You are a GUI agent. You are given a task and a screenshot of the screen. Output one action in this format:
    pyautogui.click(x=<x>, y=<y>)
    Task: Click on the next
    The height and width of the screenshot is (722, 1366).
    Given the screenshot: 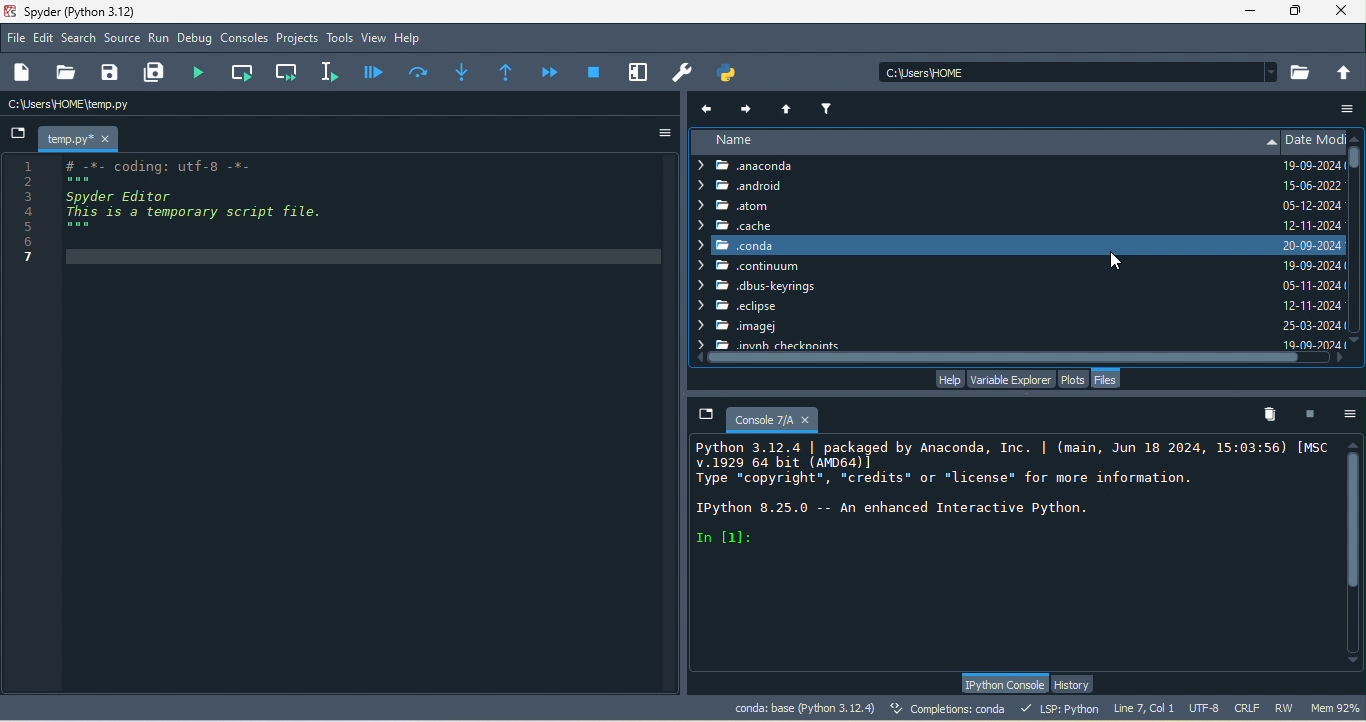 What is the action you would take?
    pyautogui.click(x=747, y=106)
    